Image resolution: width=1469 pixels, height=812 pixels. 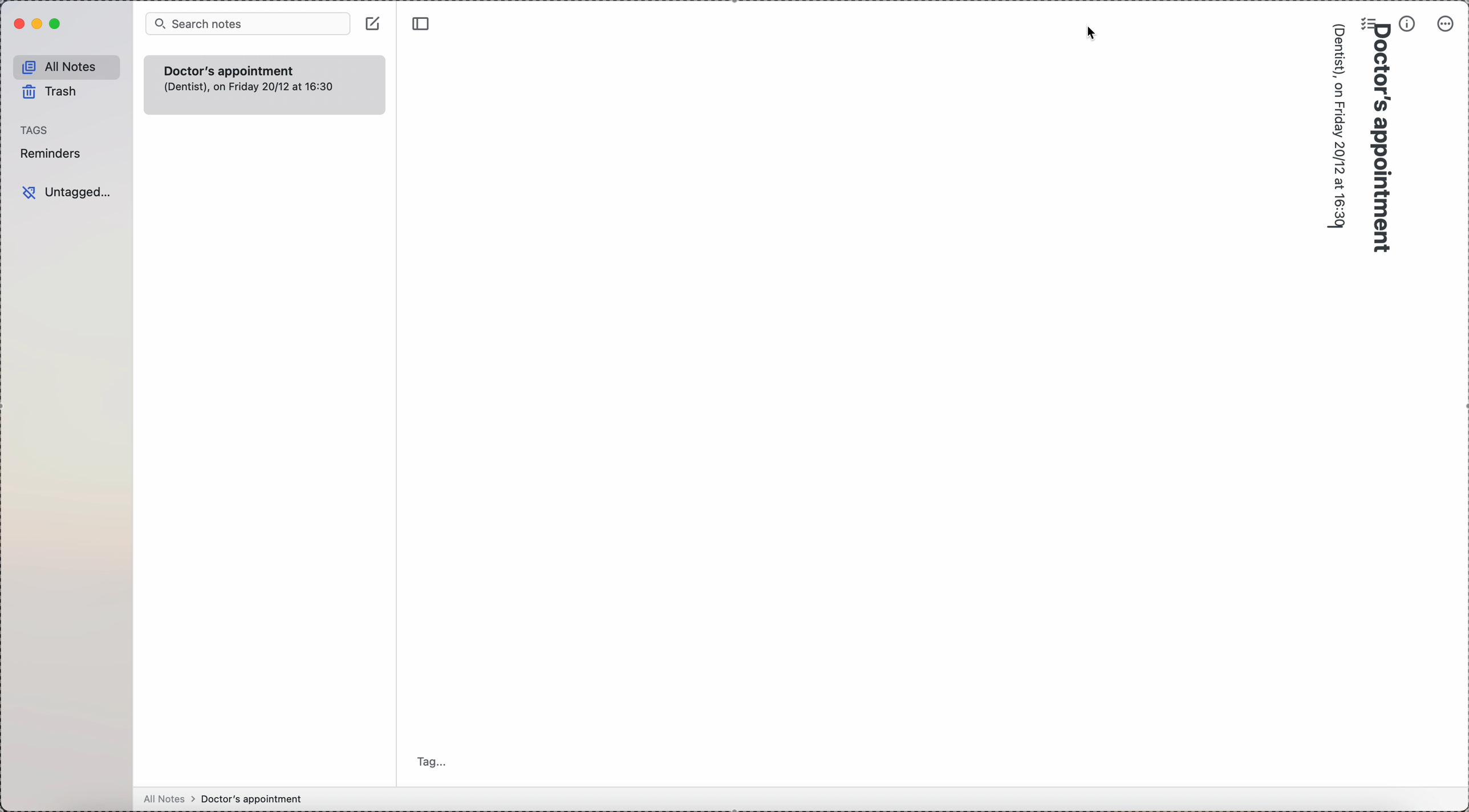 I want to click on Doctor's appointment note, so click(x=263, y=84).